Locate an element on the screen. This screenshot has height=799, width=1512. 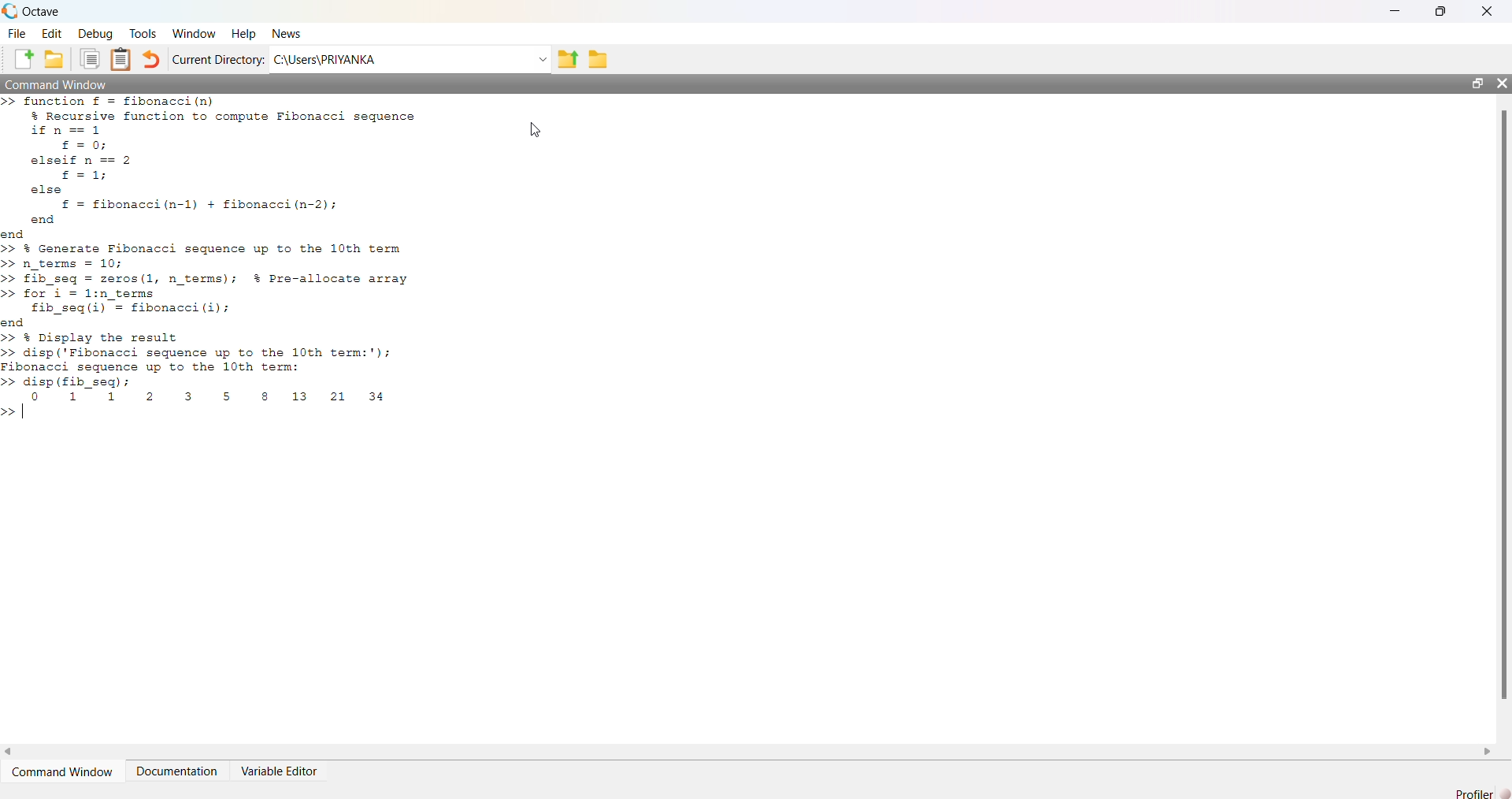
Current Directory: is located at coordinates (220, 59).